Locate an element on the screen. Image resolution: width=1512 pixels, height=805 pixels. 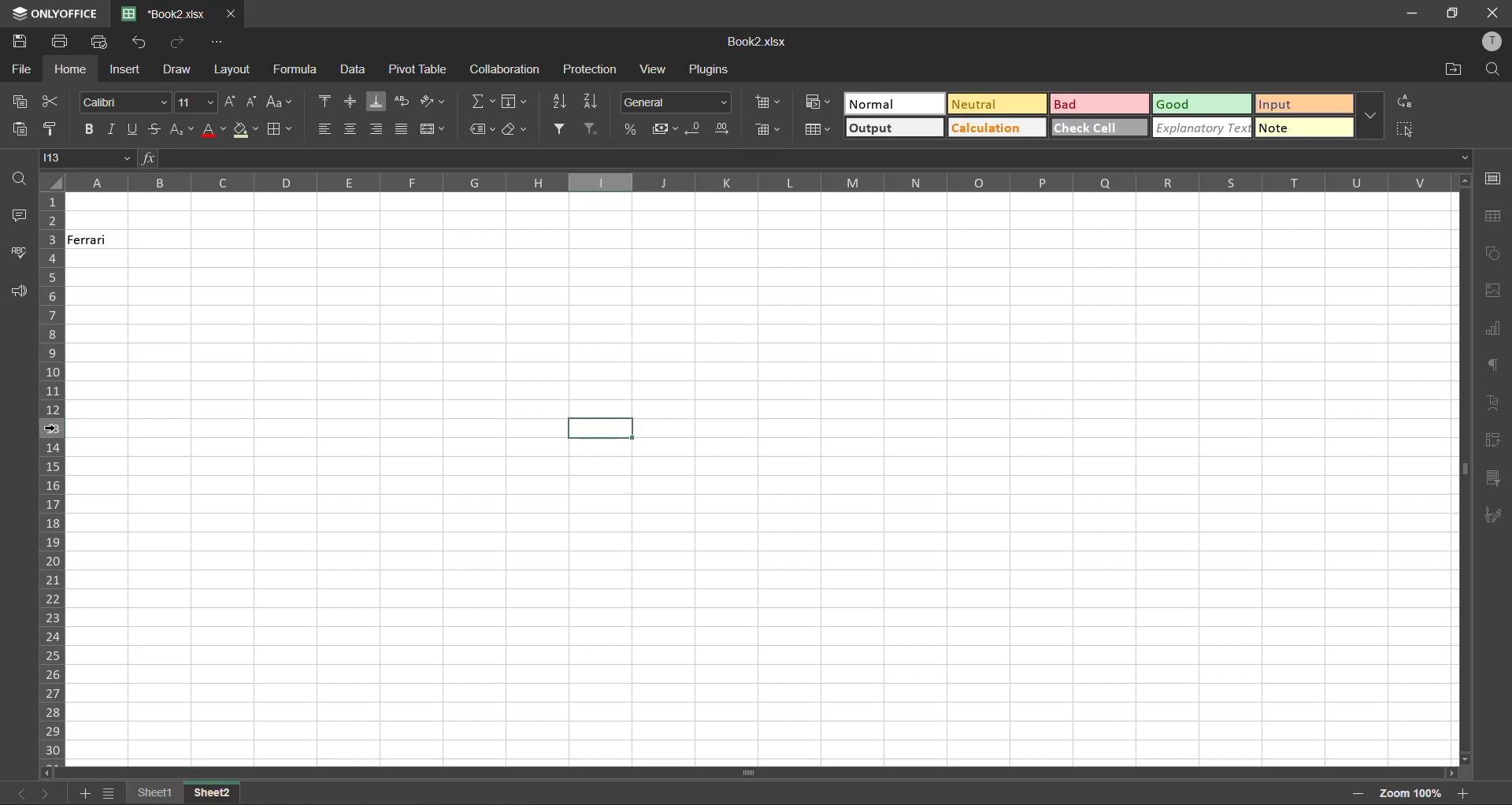
zoom factor is located at coordinates (1413, 793).